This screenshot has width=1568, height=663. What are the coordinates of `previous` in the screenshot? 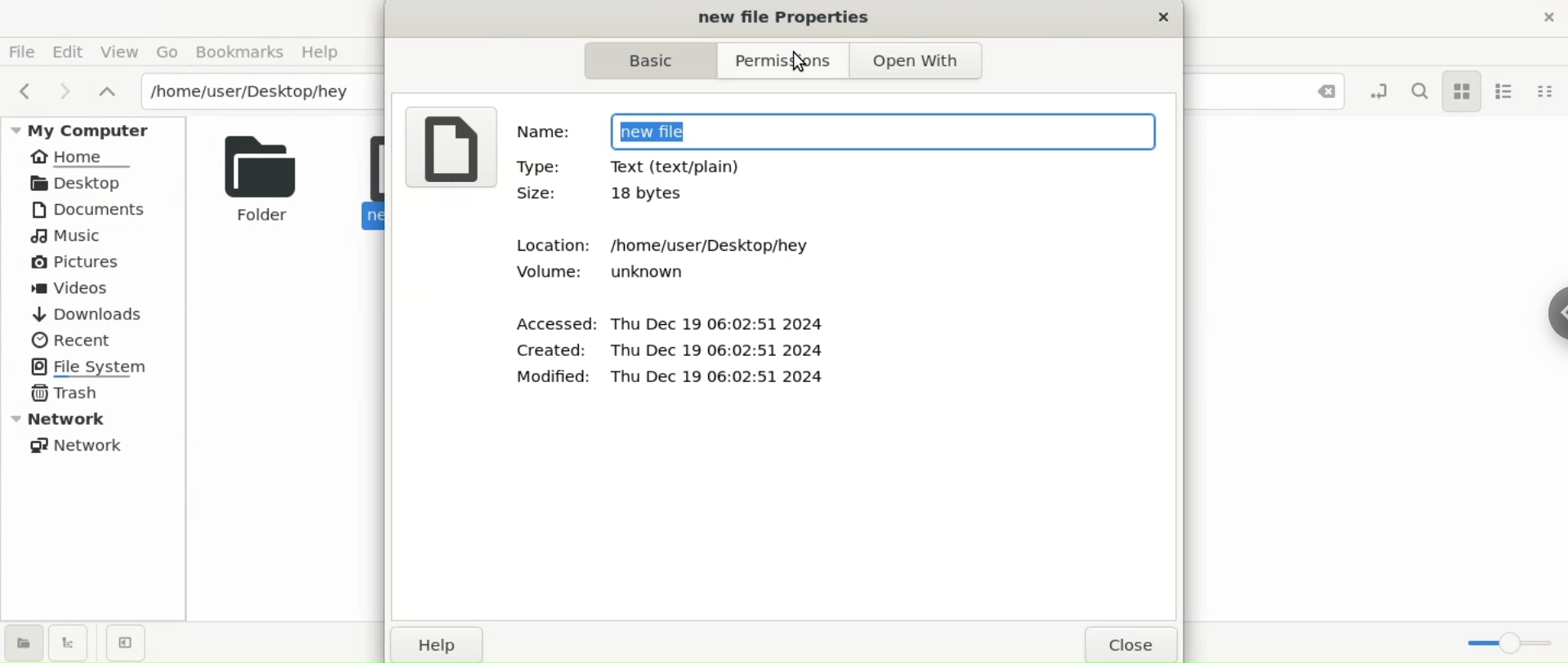 It's located at (24, 88).